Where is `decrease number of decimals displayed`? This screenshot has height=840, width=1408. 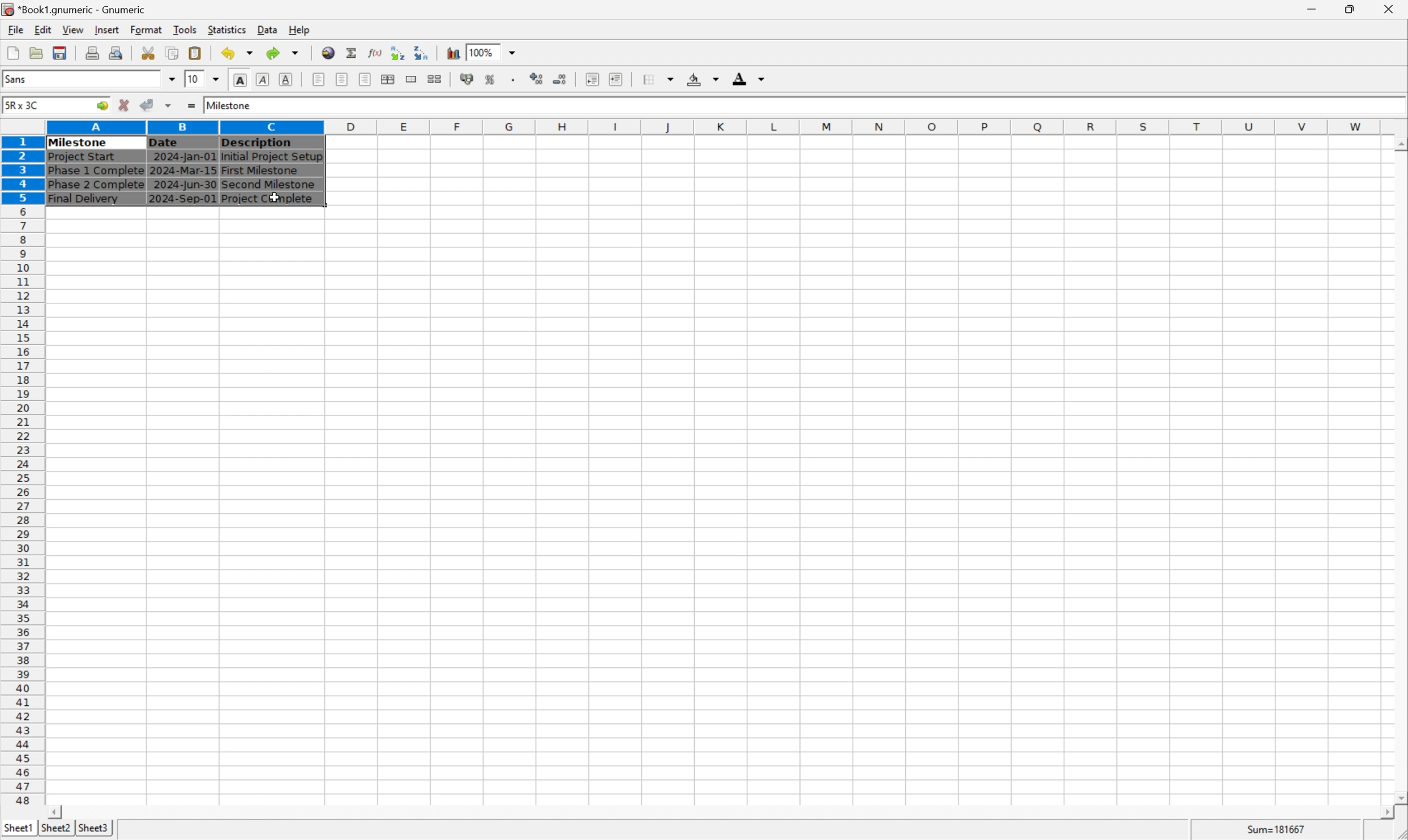 decrease number of decimals displayed is located at coordinates (562, 80).